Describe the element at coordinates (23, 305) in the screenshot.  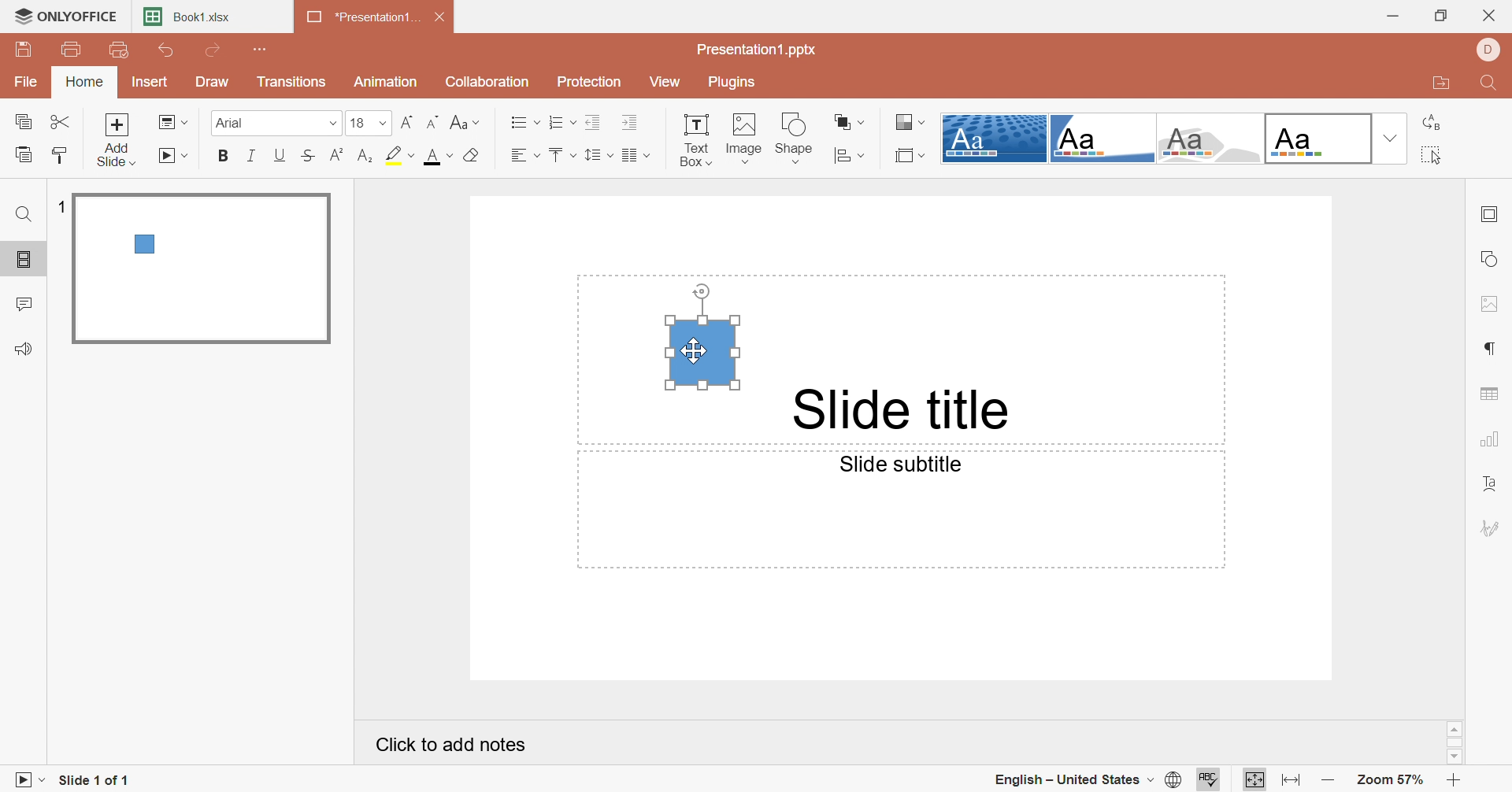
I see `Comments` at that location.